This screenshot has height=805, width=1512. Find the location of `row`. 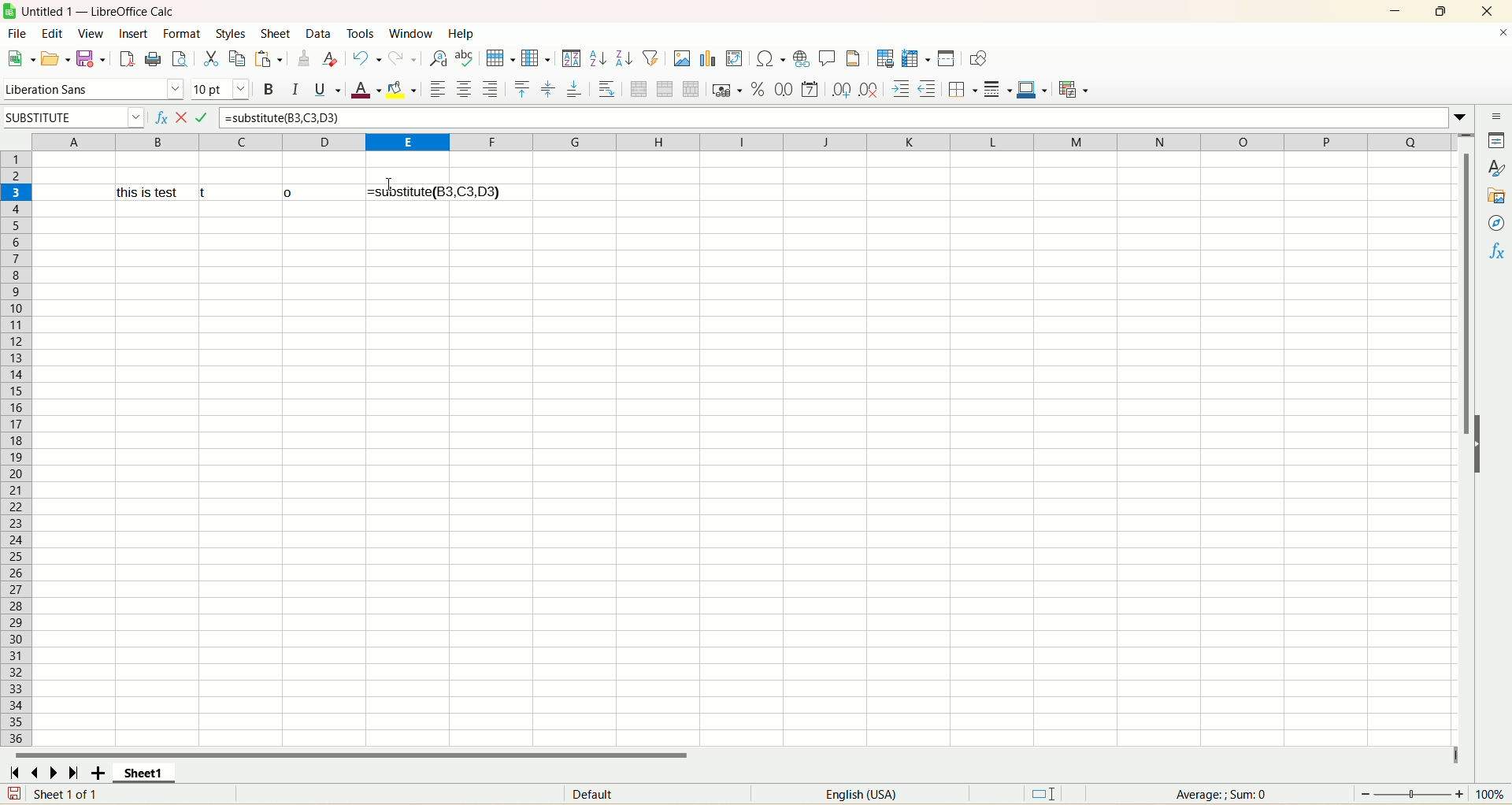

row is located at coordinates (14, 446).